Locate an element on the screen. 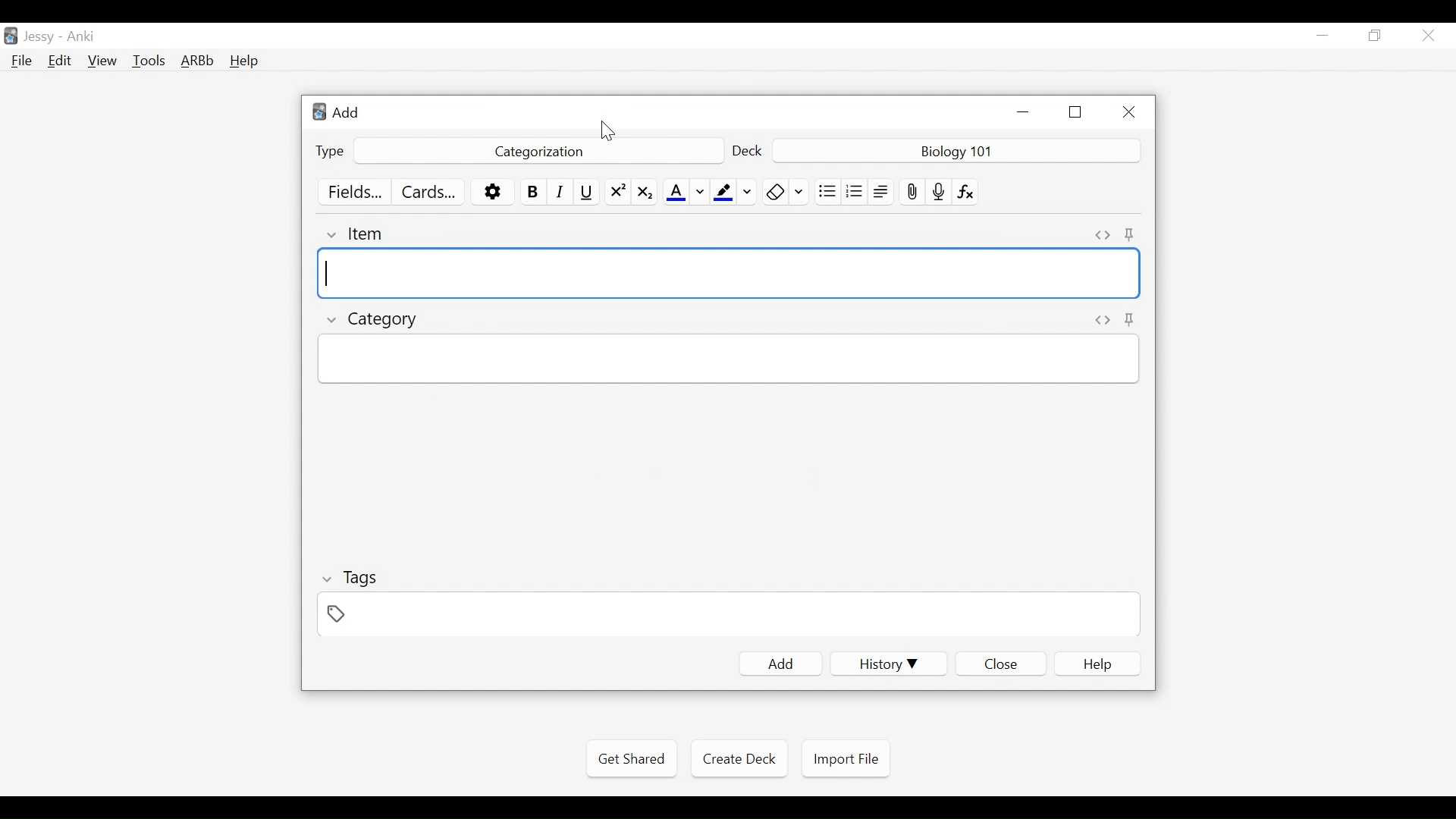 This screenshot has width=1456, height=819. Import File is located at coordinates (846, 759).